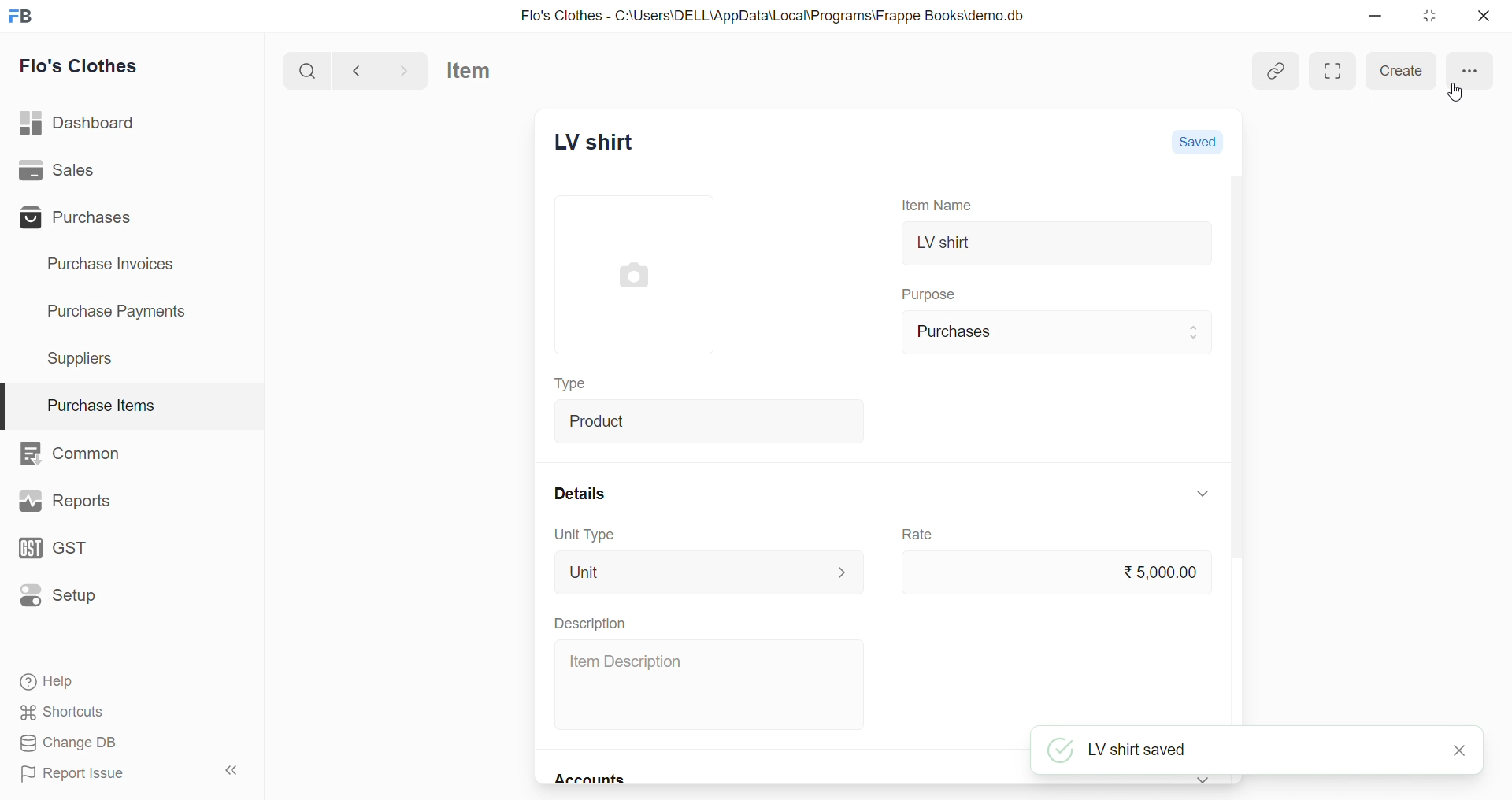 The width and height of the screenshot is (1512, 800). What do you see at coordinates (84, 120) in the screenshot?
I see `Dashboard` at bounding box center [84, 120].